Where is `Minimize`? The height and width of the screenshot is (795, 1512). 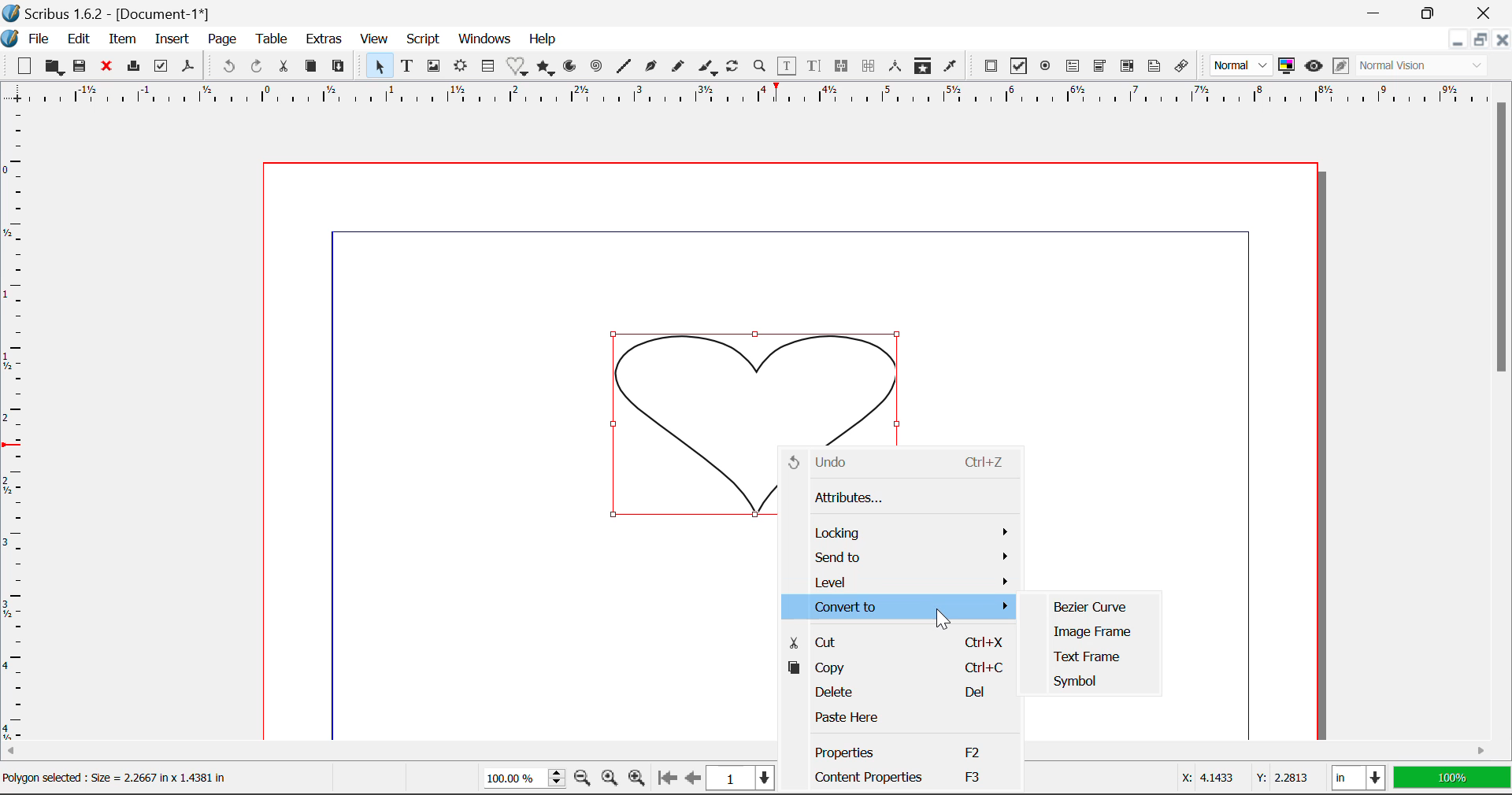 Minimize is located at coordinates (1436, 13).